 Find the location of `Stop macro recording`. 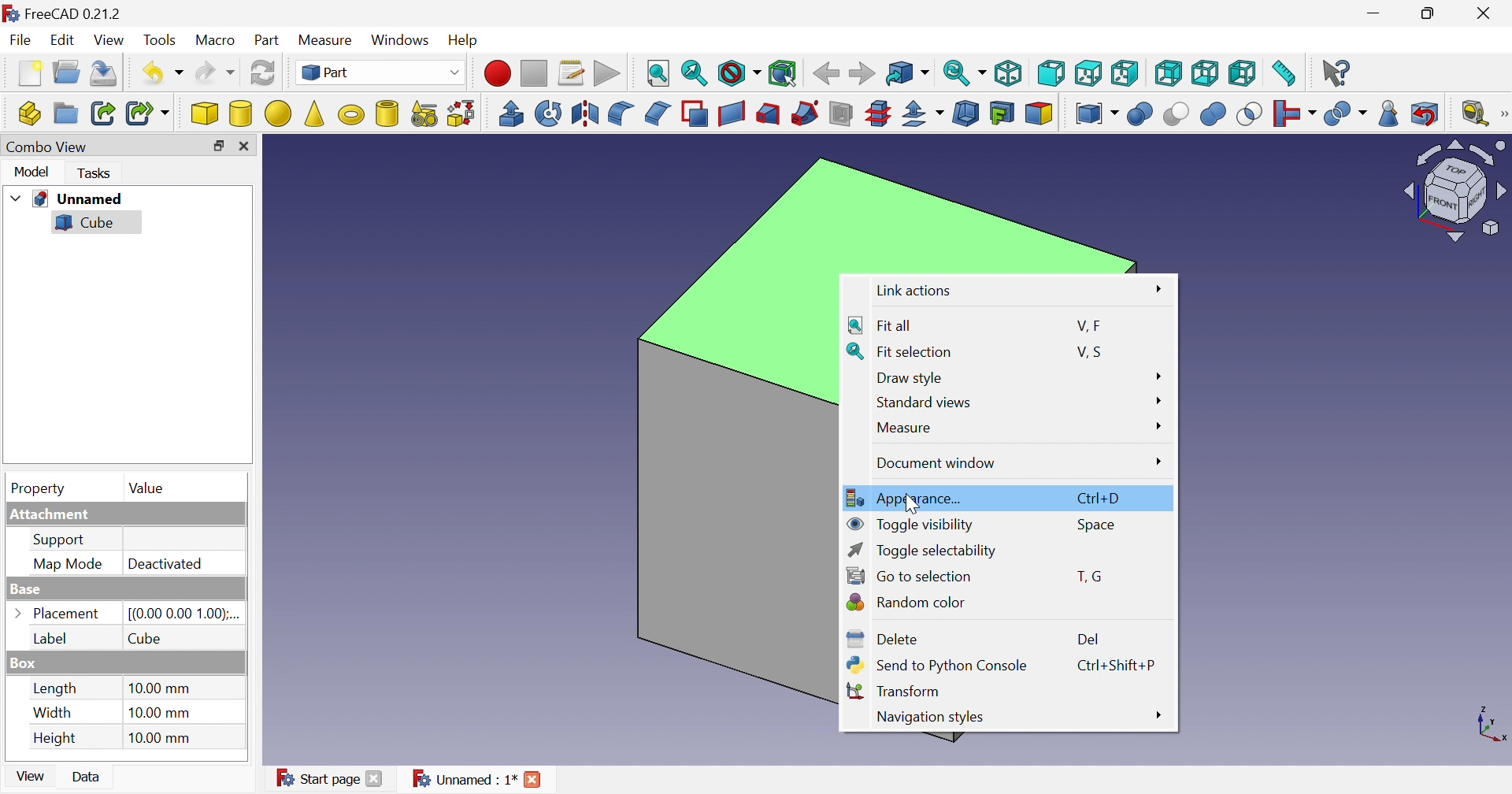

Stop macro recording is located at coordinates (536, 74).